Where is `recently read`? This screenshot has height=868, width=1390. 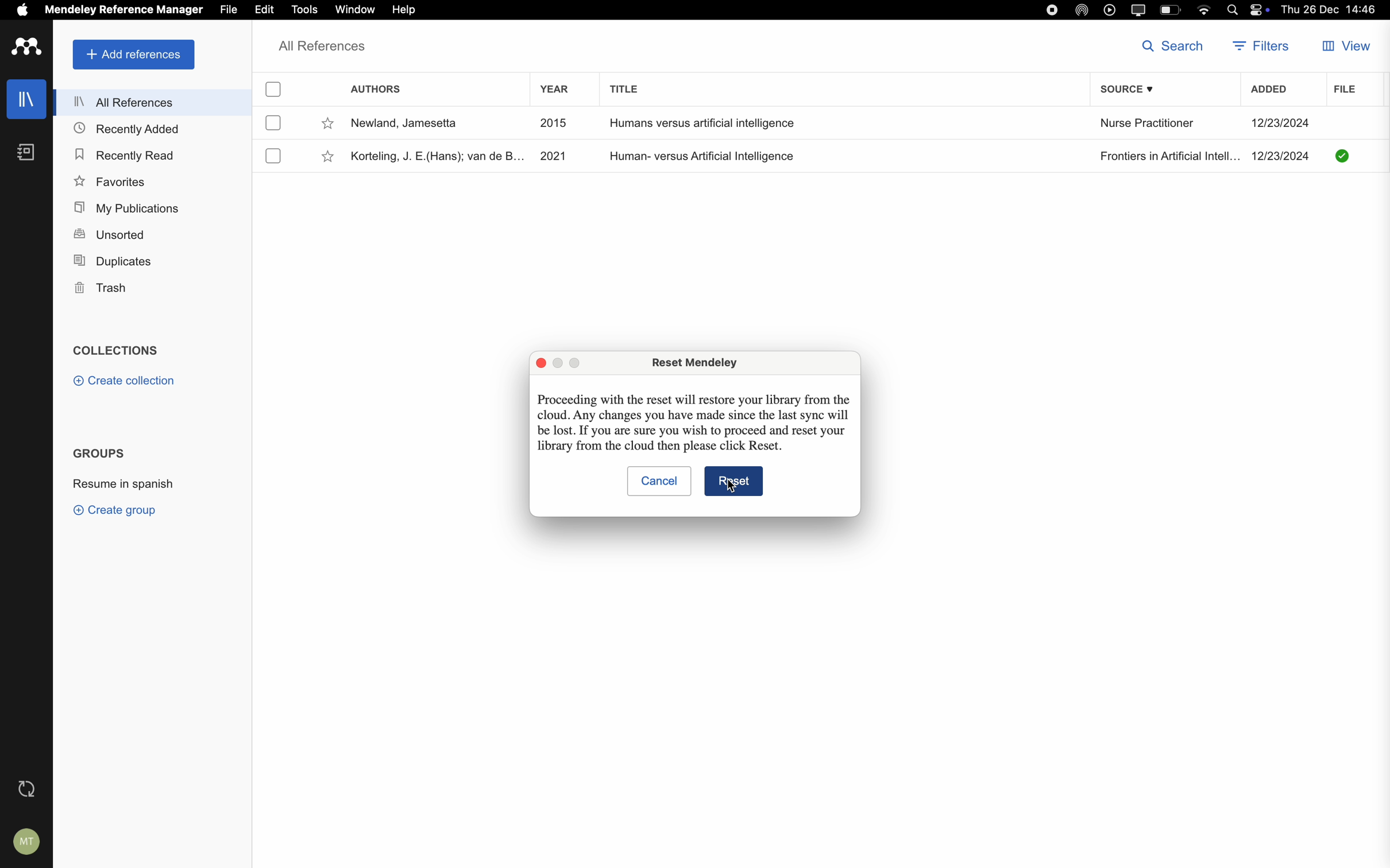 recently read is located at coordinates (126, 154).